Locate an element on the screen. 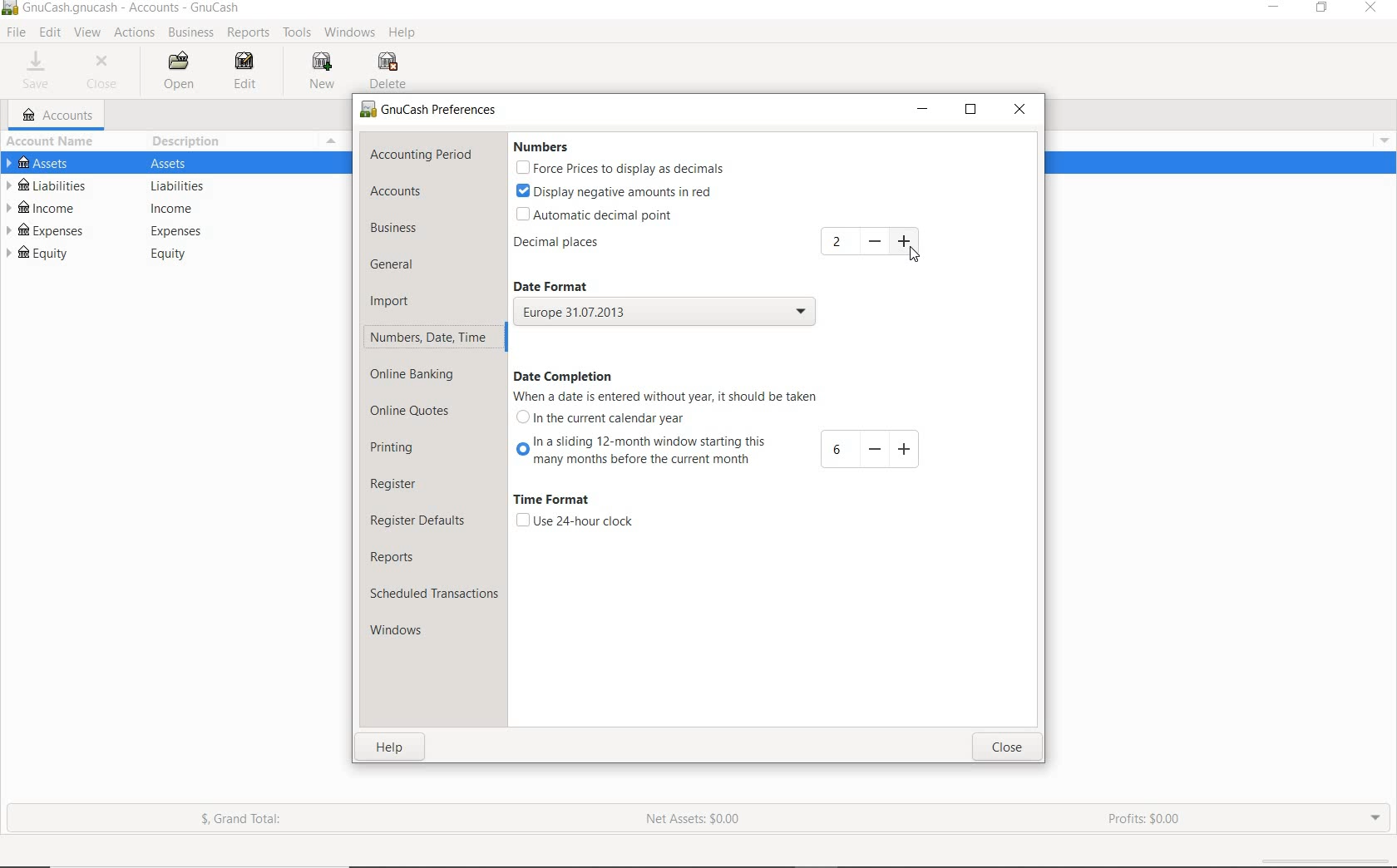 This screenshot has height=868, width=1397. accounts is located at coordinates (394, 191).